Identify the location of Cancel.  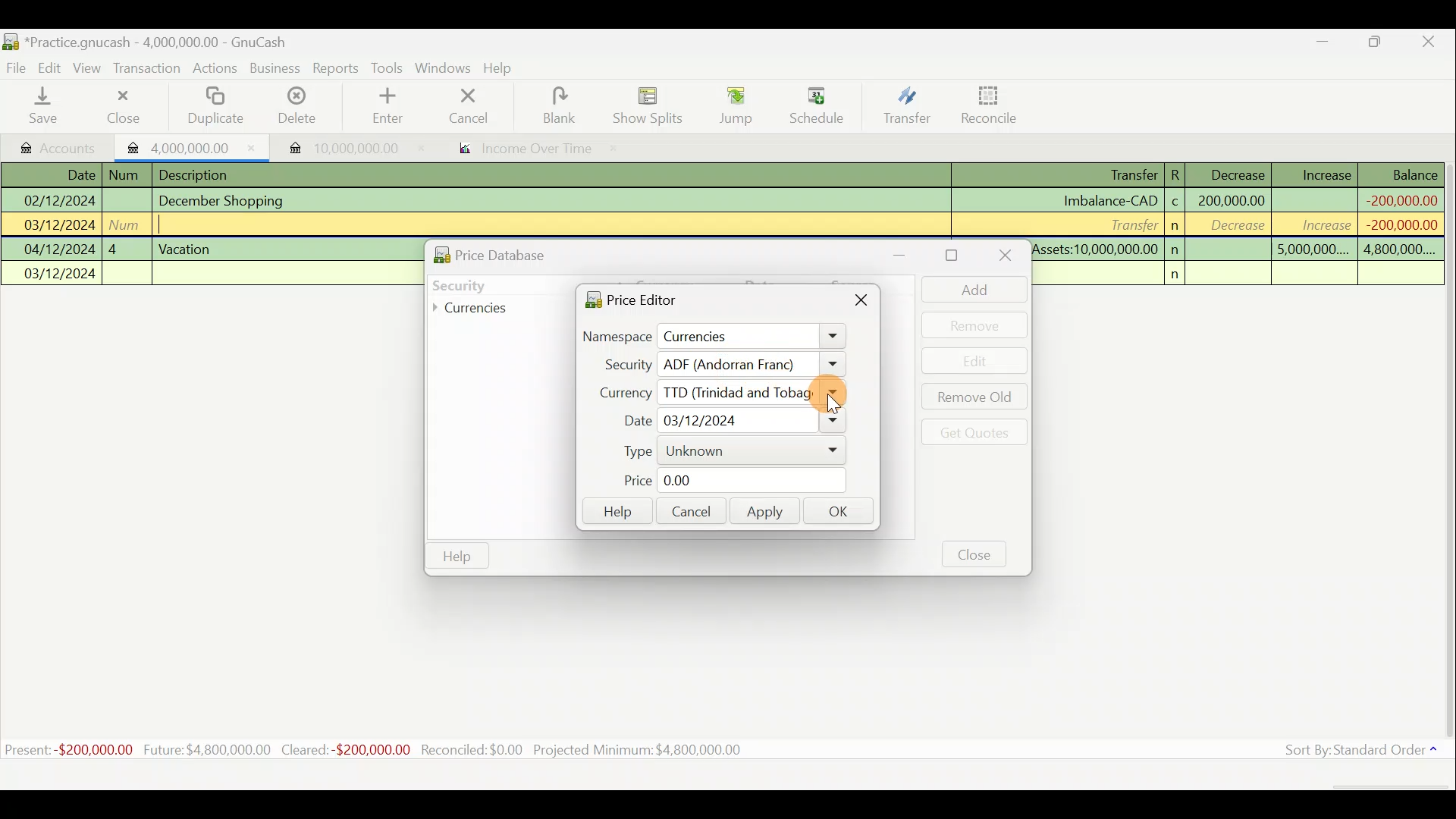
(689, 510).